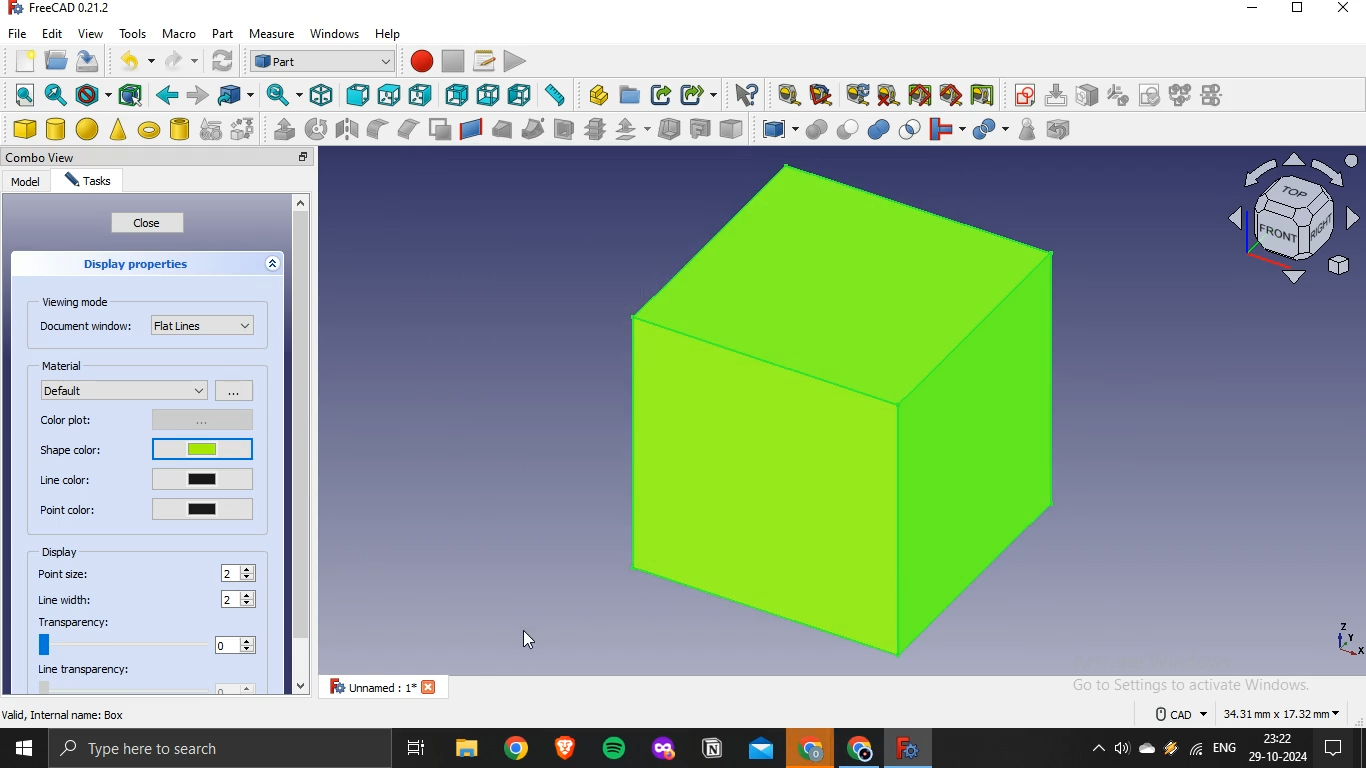 This screenshot has width=1366, height=768. Describe the element at coordinates (388, 96) in the screenshot. I see `top` at that location.